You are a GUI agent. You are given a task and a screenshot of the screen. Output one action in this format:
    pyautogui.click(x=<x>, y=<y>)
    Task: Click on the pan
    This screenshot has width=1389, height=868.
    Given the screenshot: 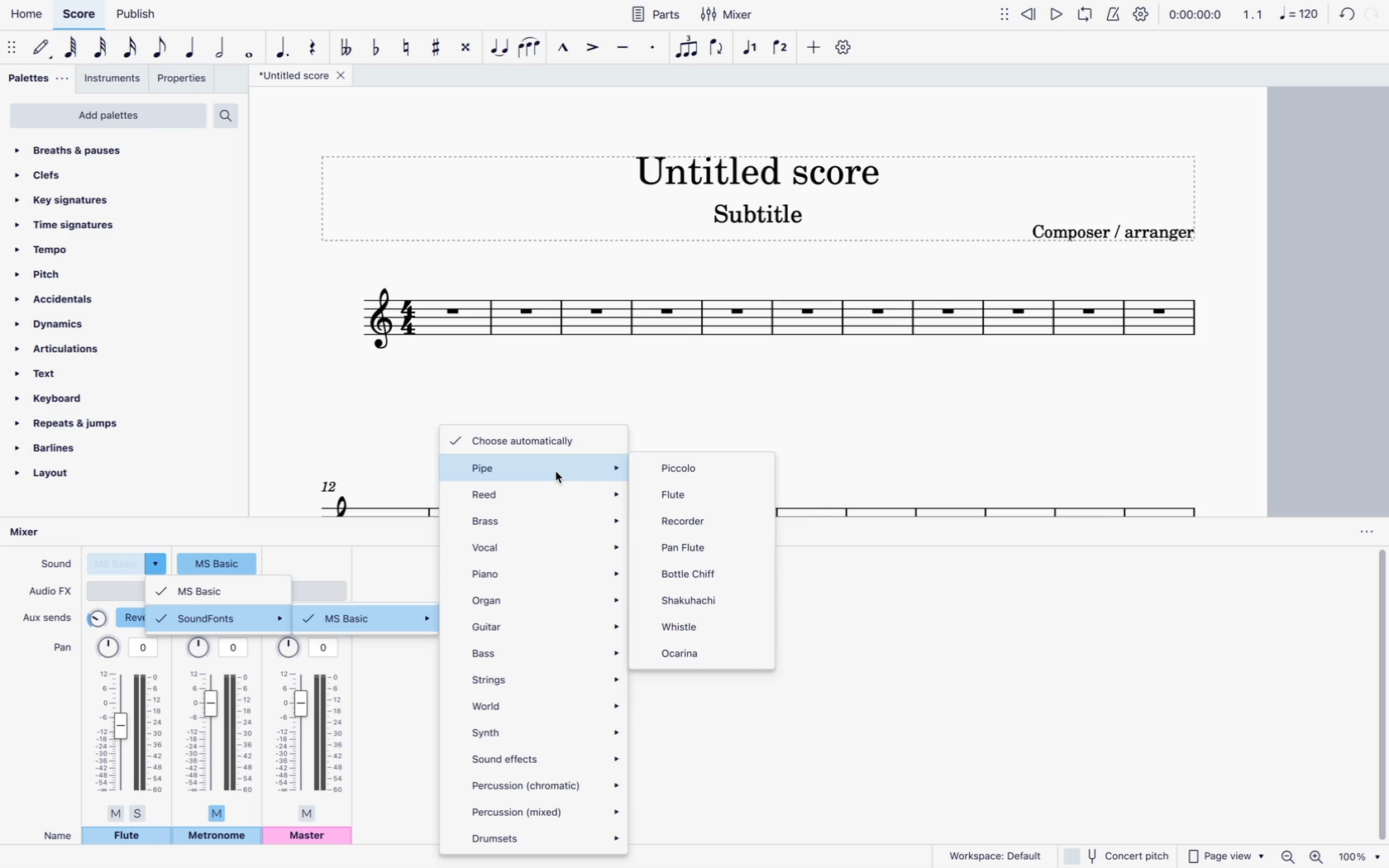 What is the action you would take?
    pyautogui.click(x=219, y=727)
    